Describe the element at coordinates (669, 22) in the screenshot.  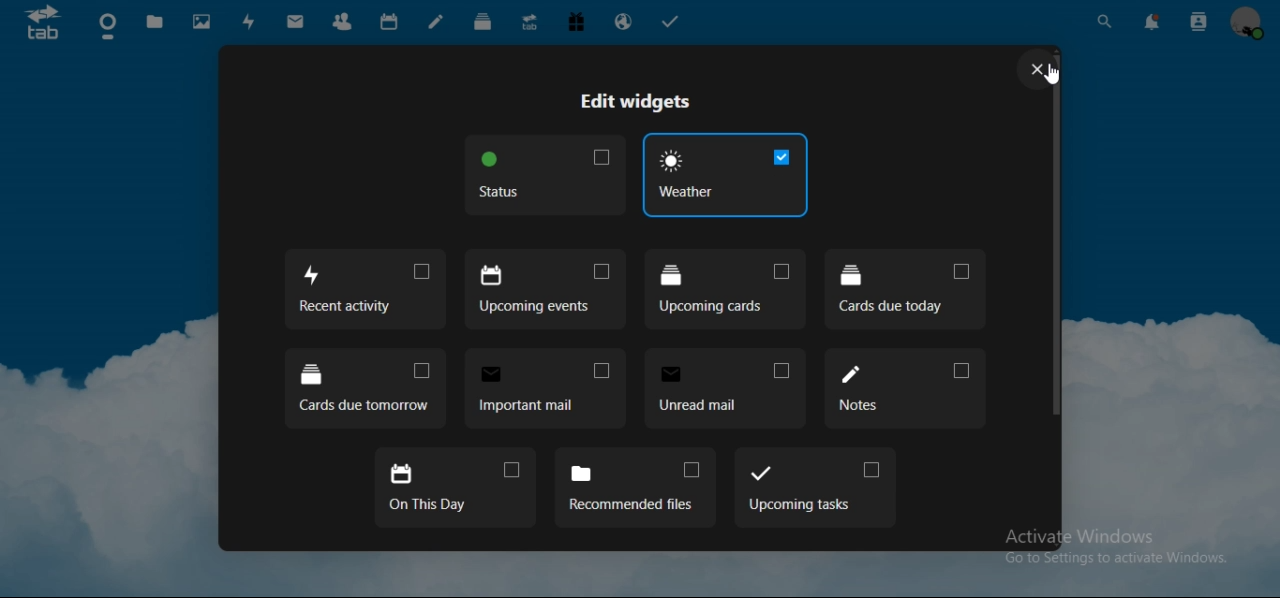
I see `tasks` at that location.